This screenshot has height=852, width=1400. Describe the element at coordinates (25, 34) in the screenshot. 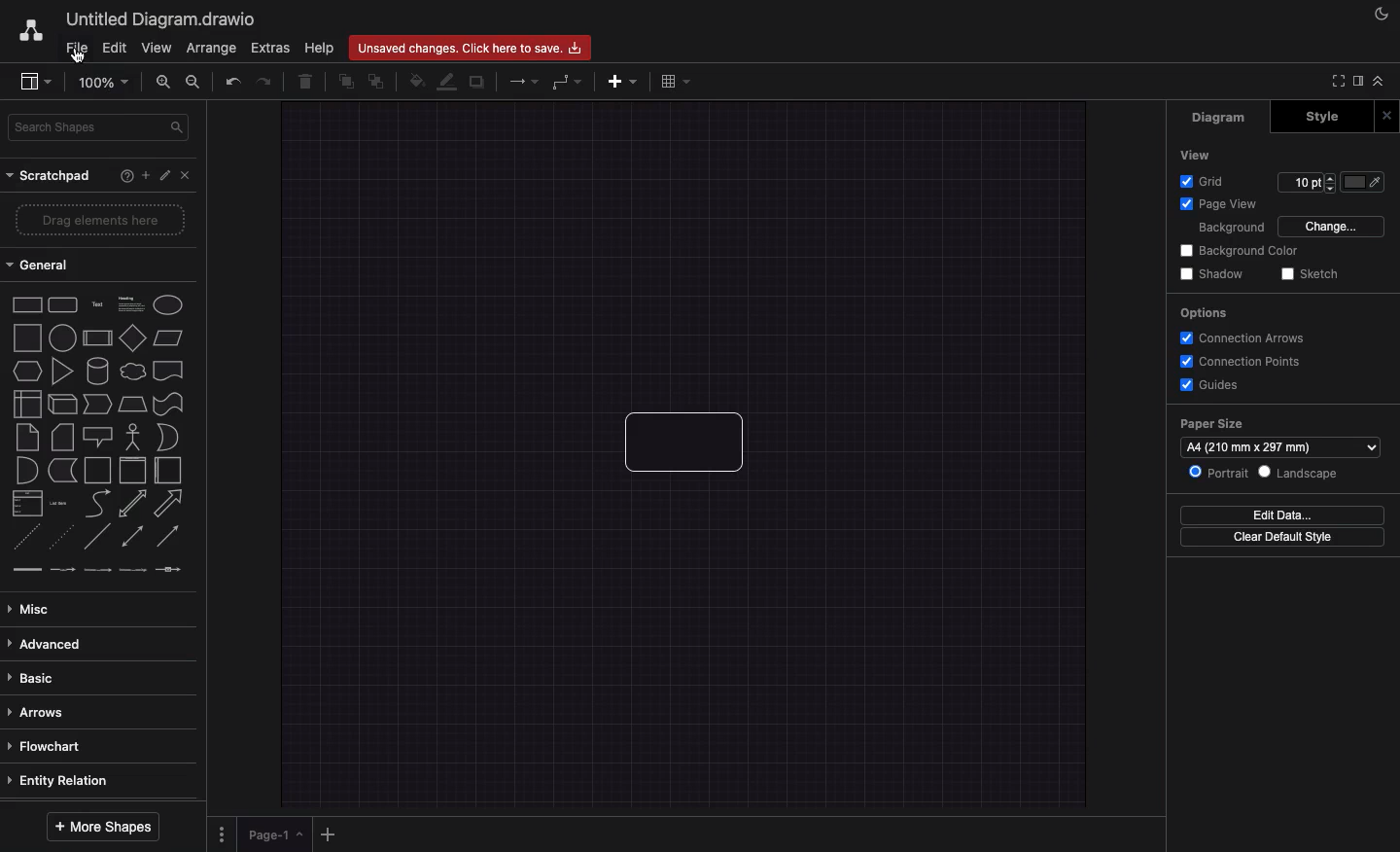

I see `Draw.io` at that location.